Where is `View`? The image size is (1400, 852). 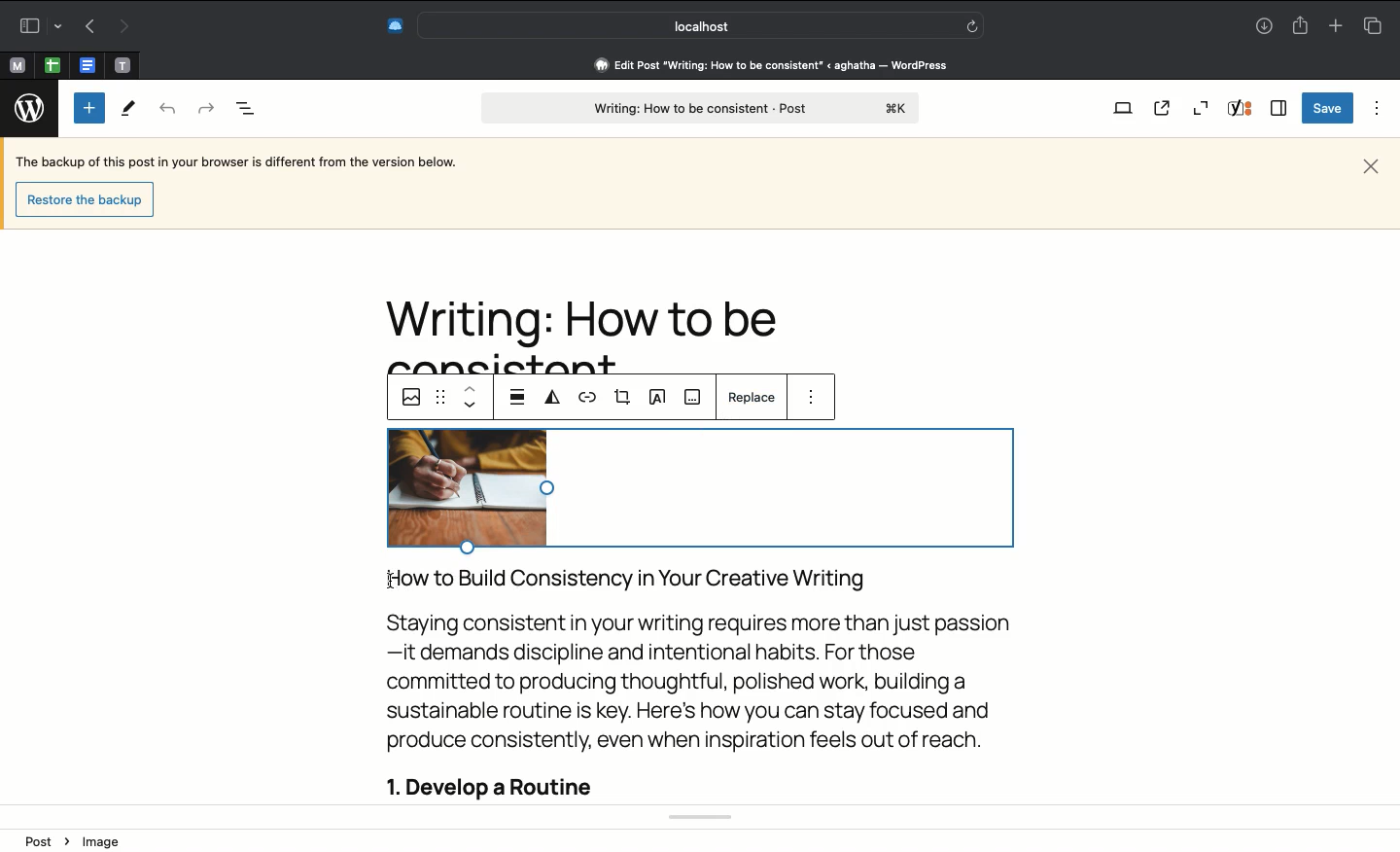
View is located at coordinates (1119, 110).